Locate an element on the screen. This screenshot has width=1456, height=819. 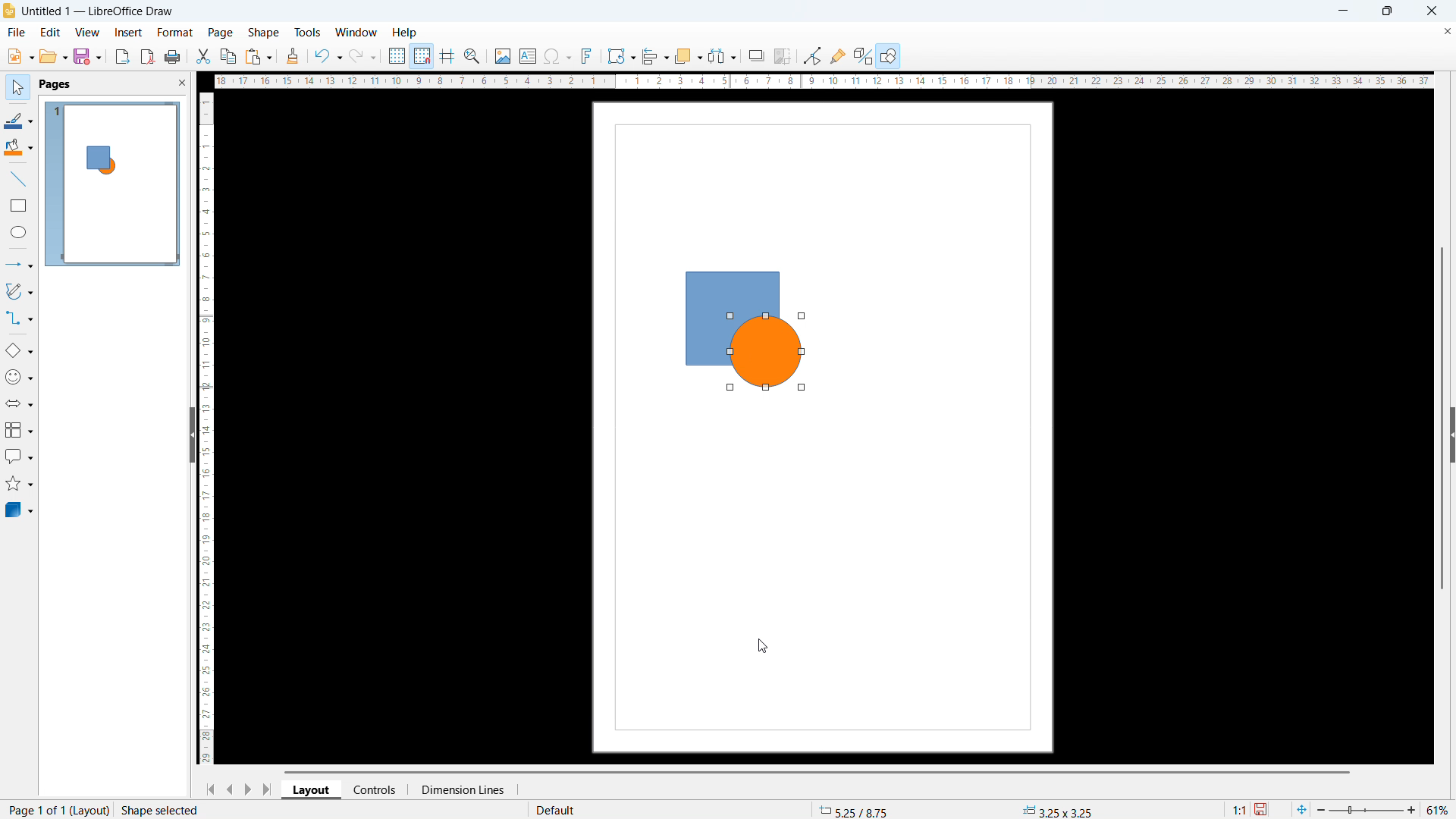
Maximise  is located at coordinates (1383, 11).